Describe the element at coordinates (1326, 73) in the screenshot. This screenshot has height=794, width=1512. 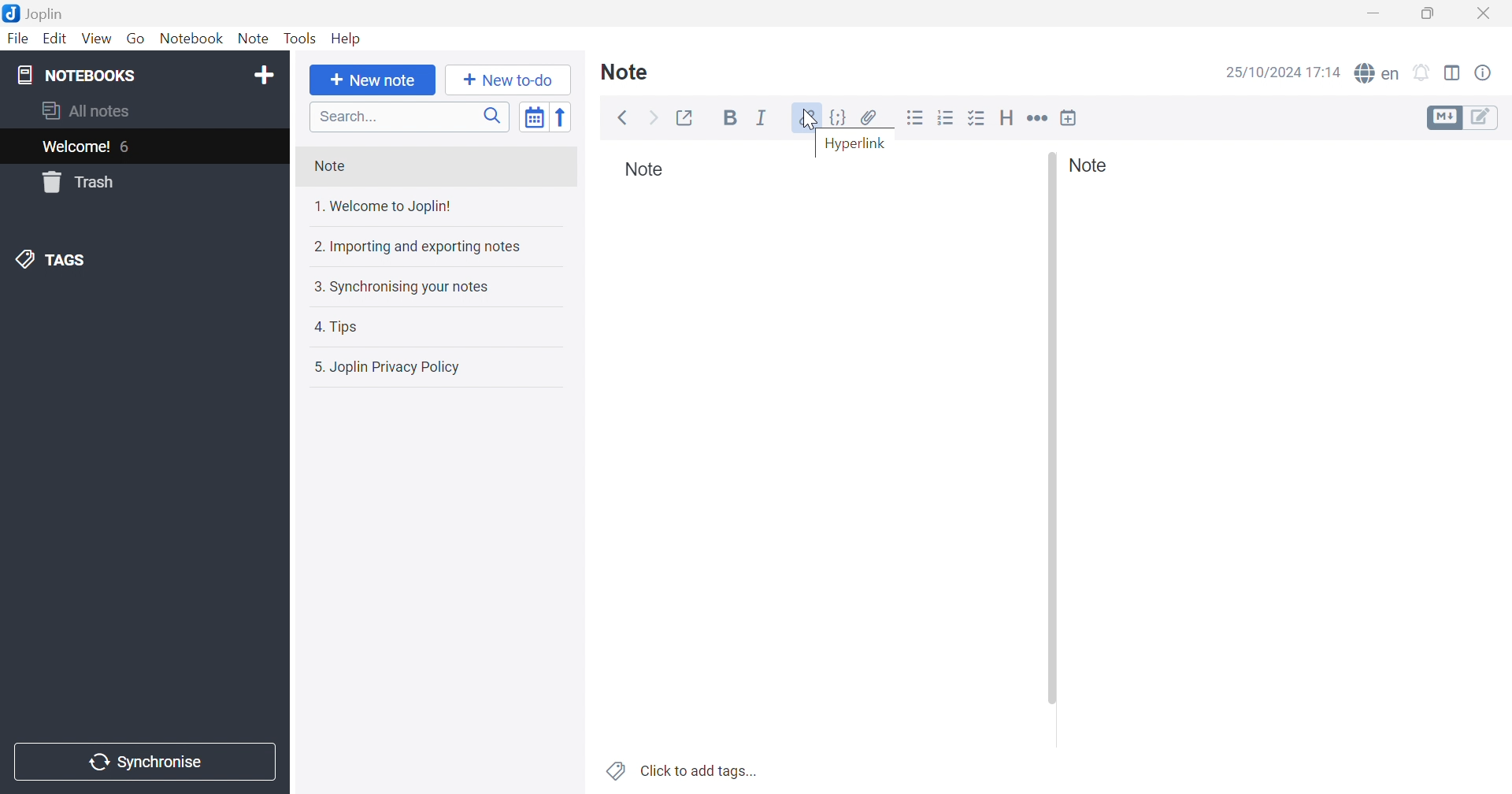
I see `17:14` at that location.